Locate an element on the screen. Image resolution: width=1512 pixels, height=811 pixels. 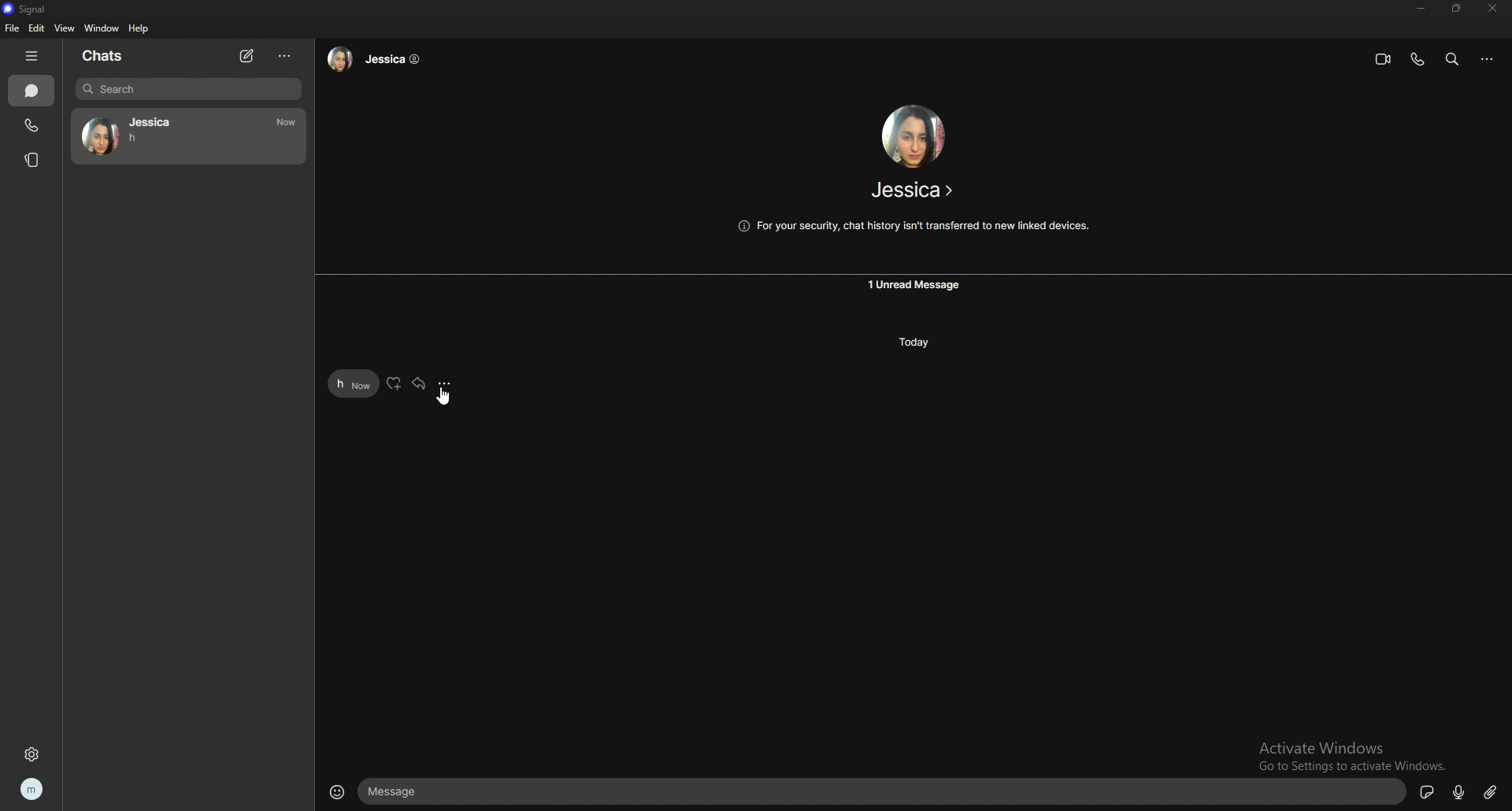
close is located at coordinates (1494, 9).